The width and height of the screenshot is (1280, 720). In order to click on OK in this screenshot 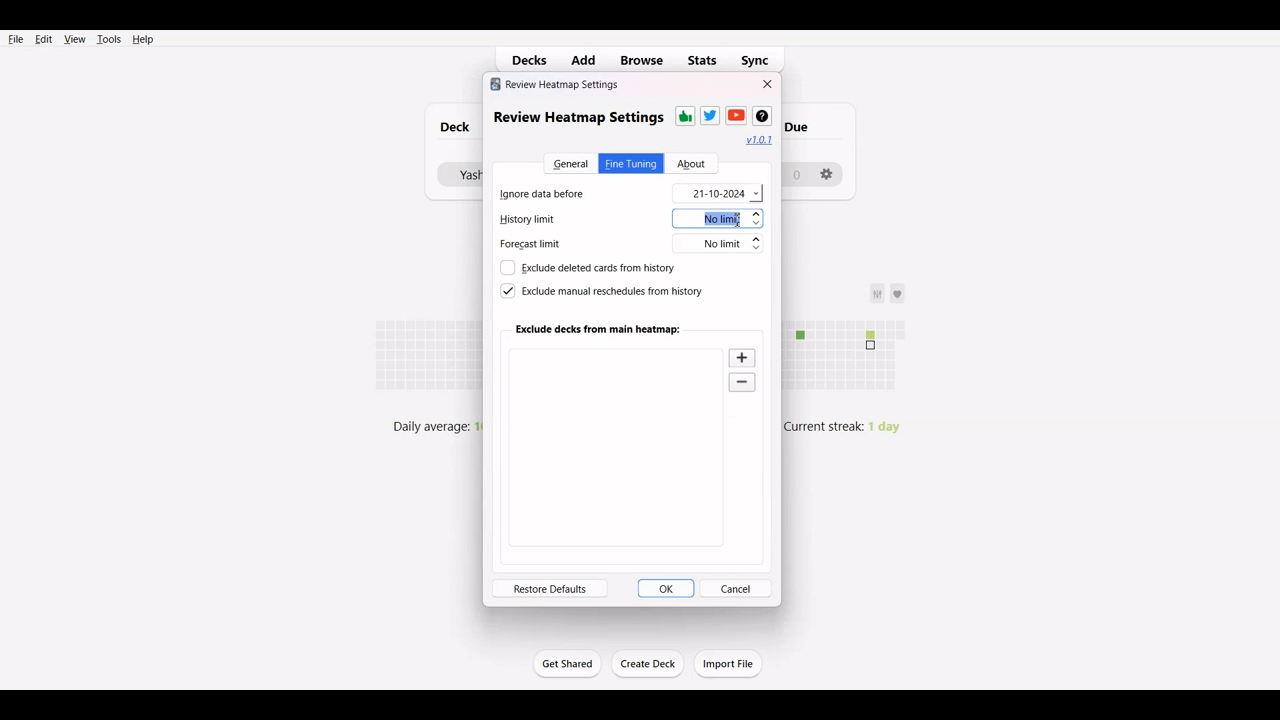, I will do `click(666, 588)`.